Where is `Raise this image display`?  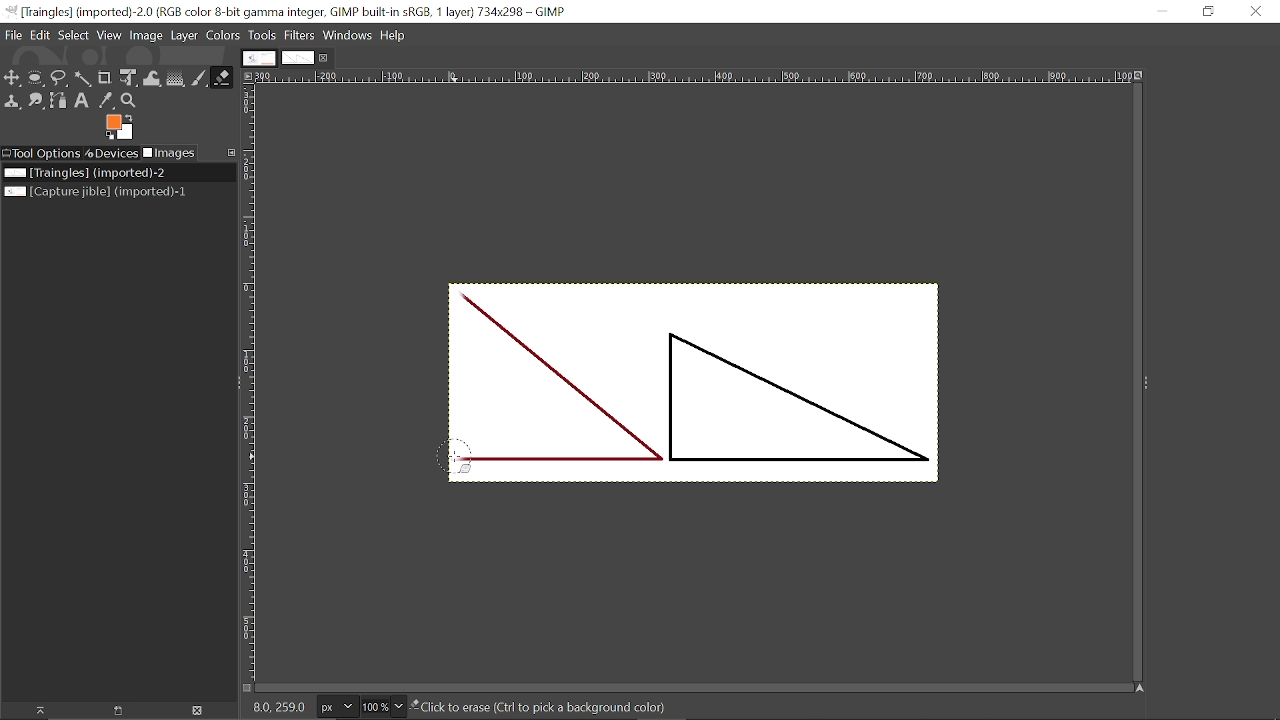
Raise this image display is located at coordinates (34, 711).